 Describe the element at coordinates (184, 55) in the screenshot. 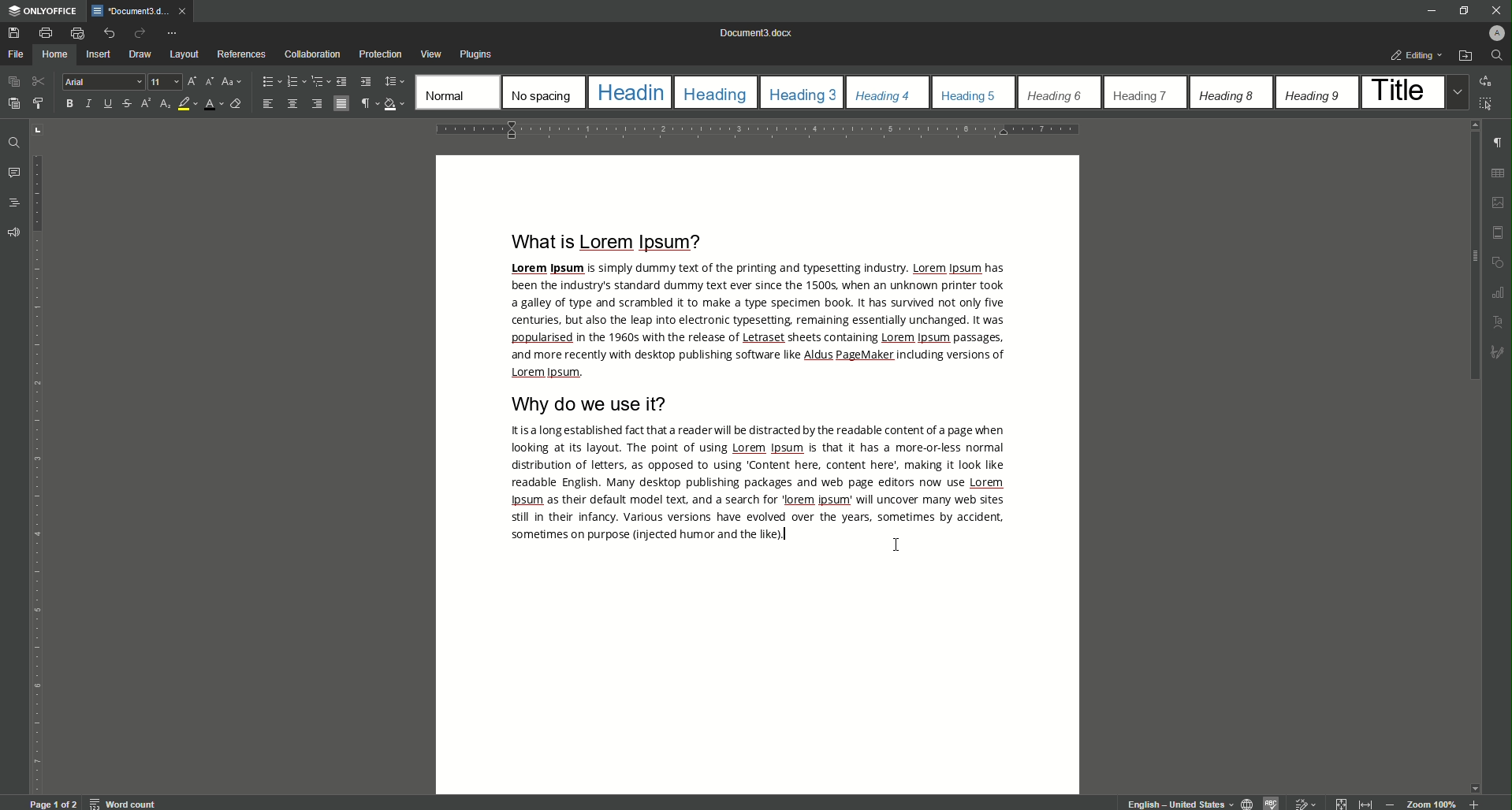

I see `Layout` at that location.